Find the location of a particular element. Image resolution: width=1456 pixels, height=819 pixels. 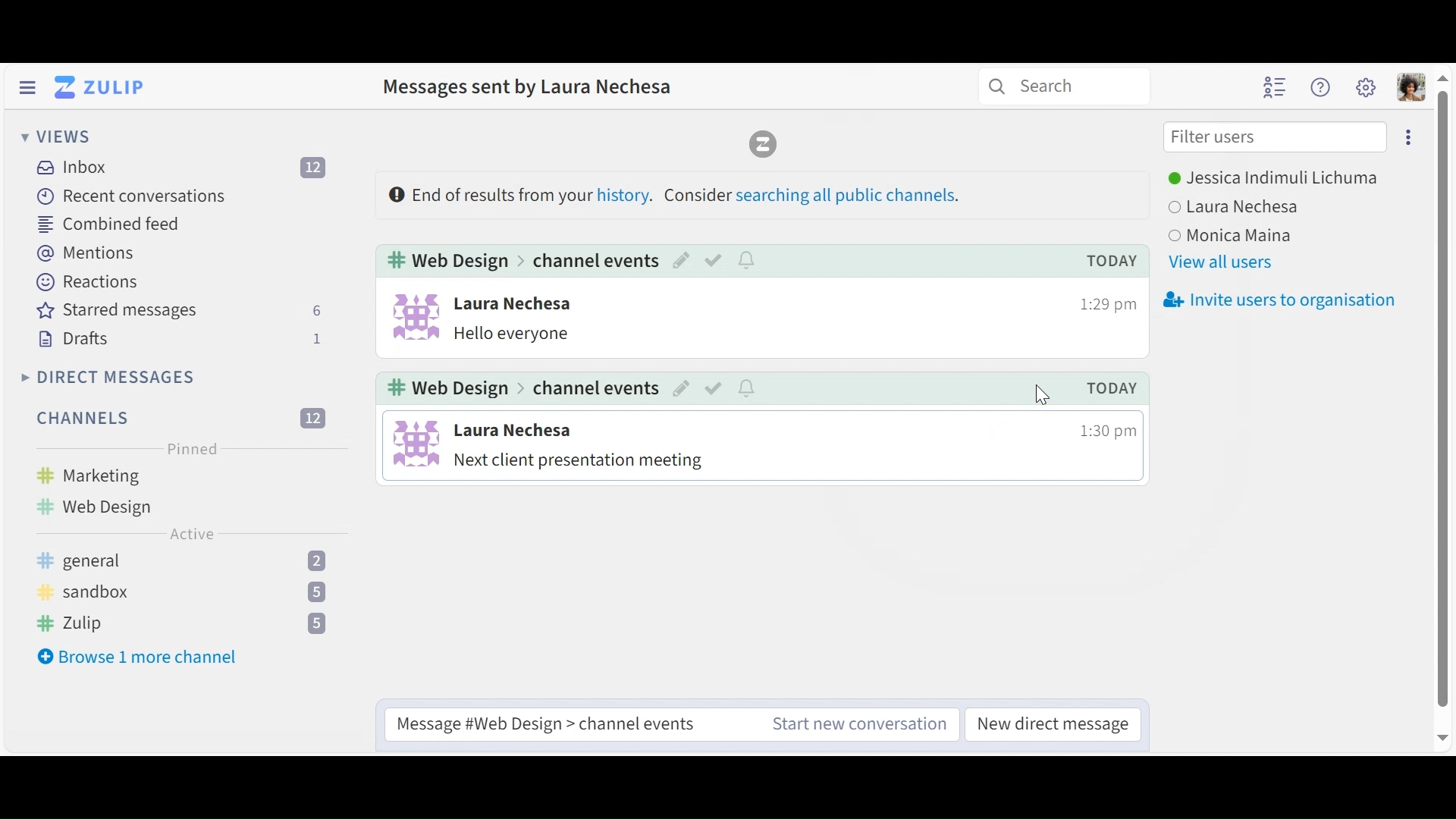

message is located at coordinates (529, 337).